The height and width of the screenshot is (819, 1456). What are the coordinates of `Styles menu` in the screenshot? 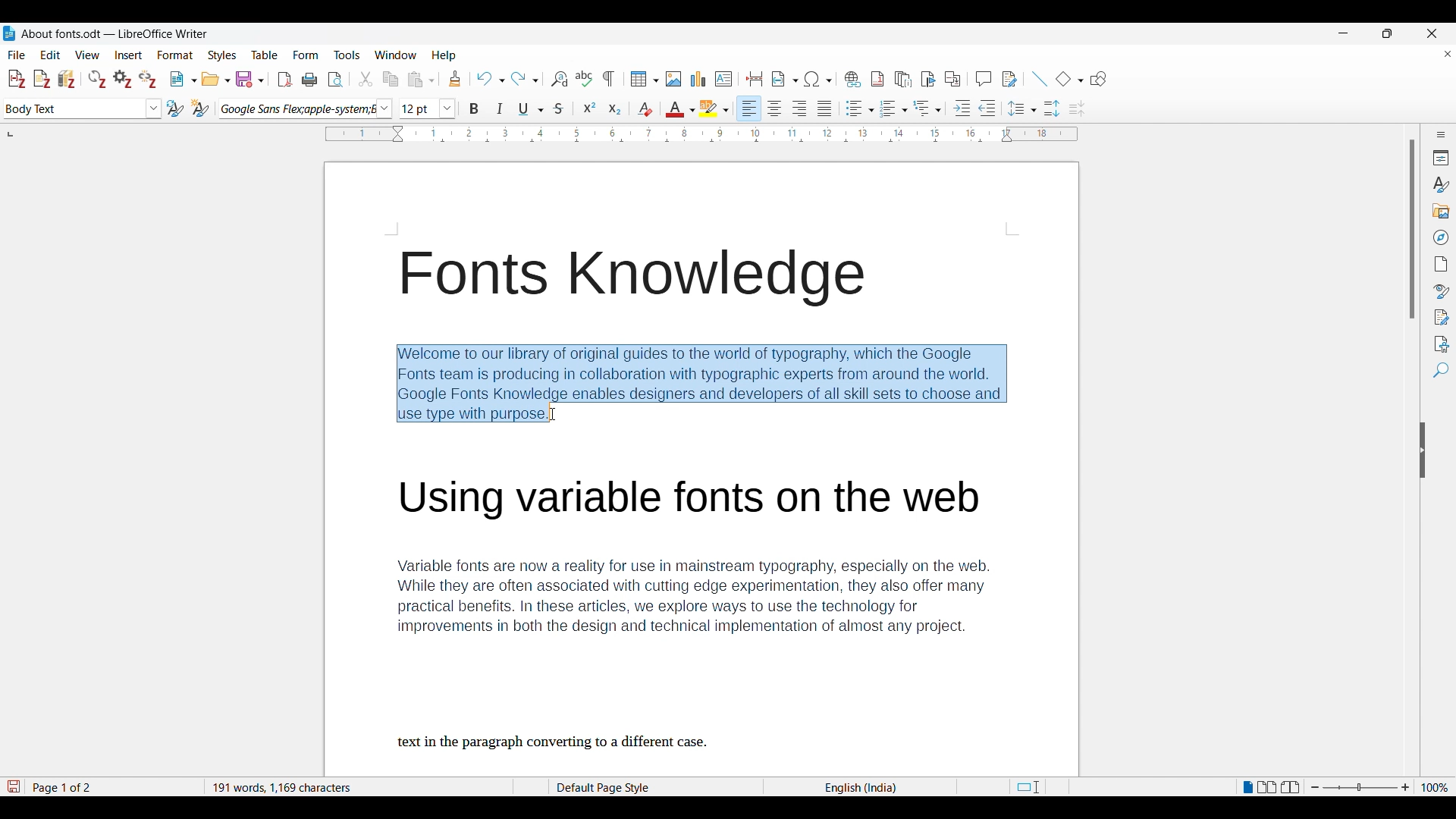 It's located at (222, 55).